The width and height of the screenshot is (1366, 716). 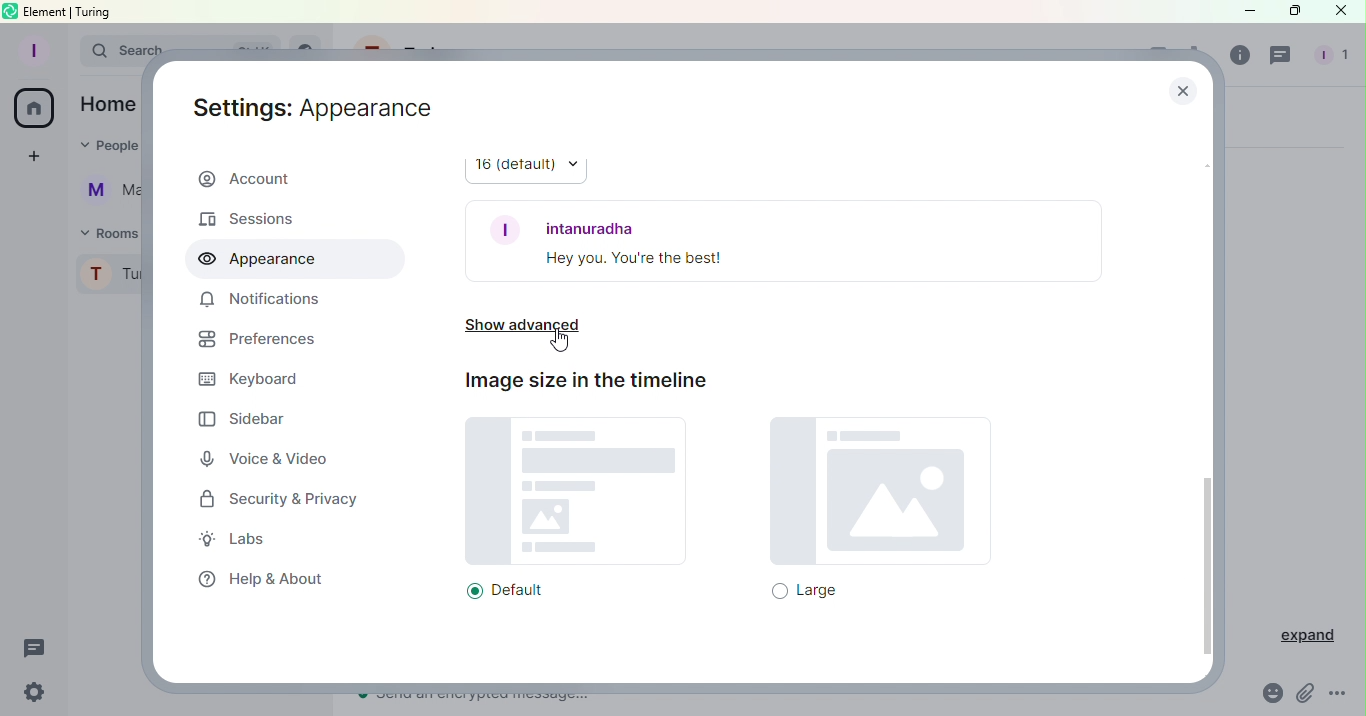 What do you see at coordinates (317, 103) in the screenshot?
I see `Settings: Account` at bounding box center [317, 103].